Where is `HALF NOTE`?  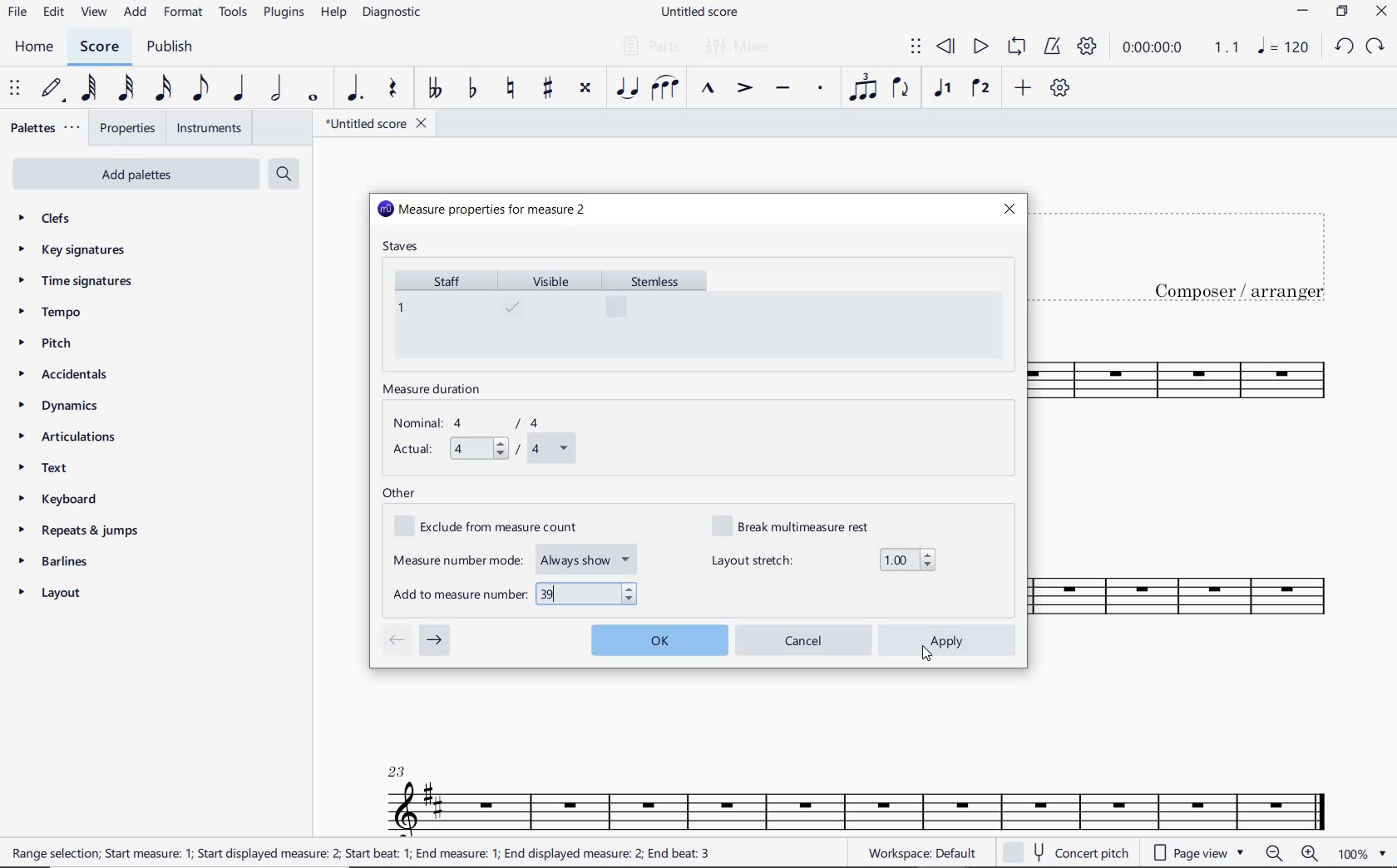 HALF NOTE is located at coordinates (278, 89).